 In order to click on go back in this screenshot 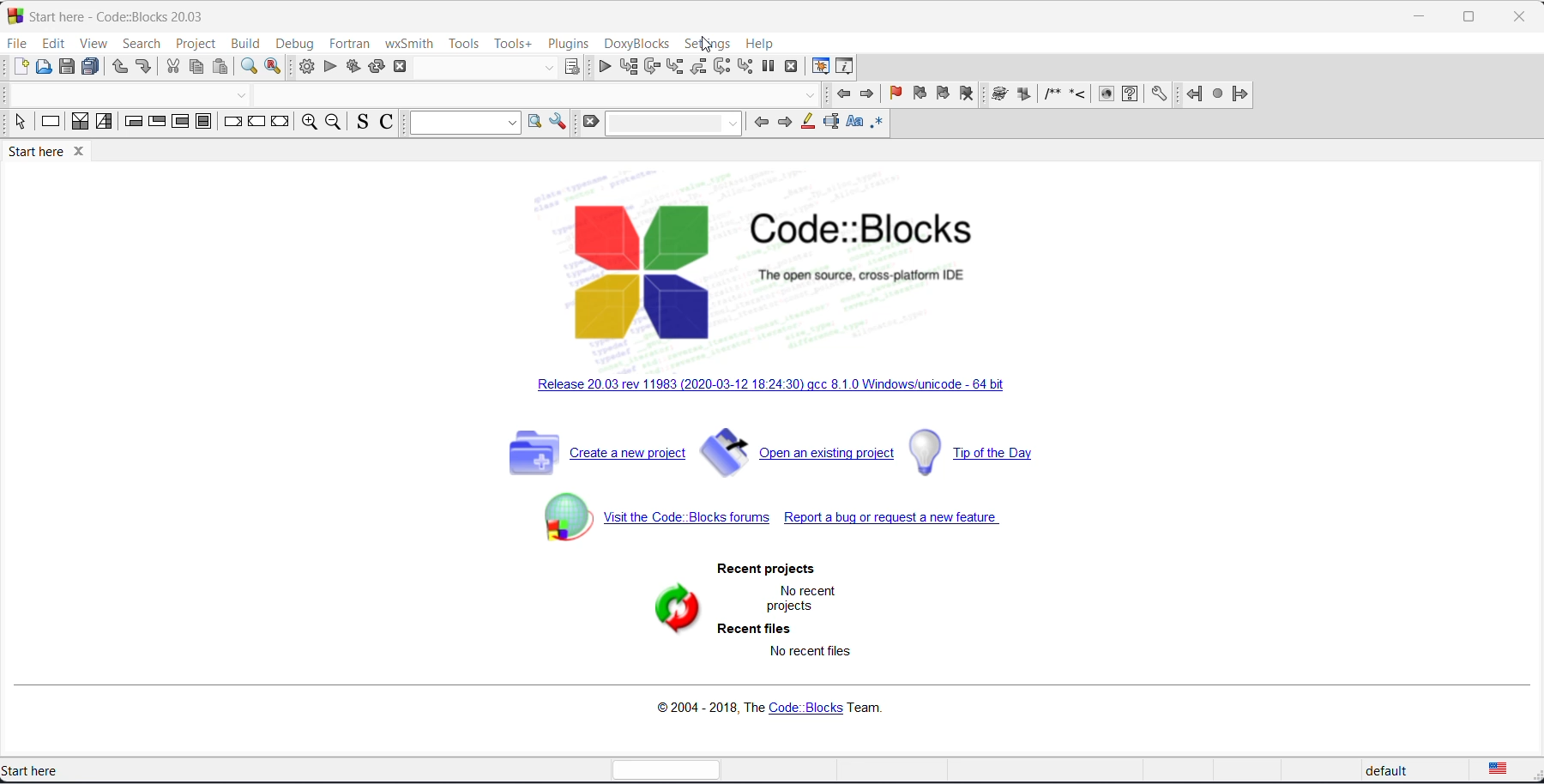, I will do `click(844, 94)`.